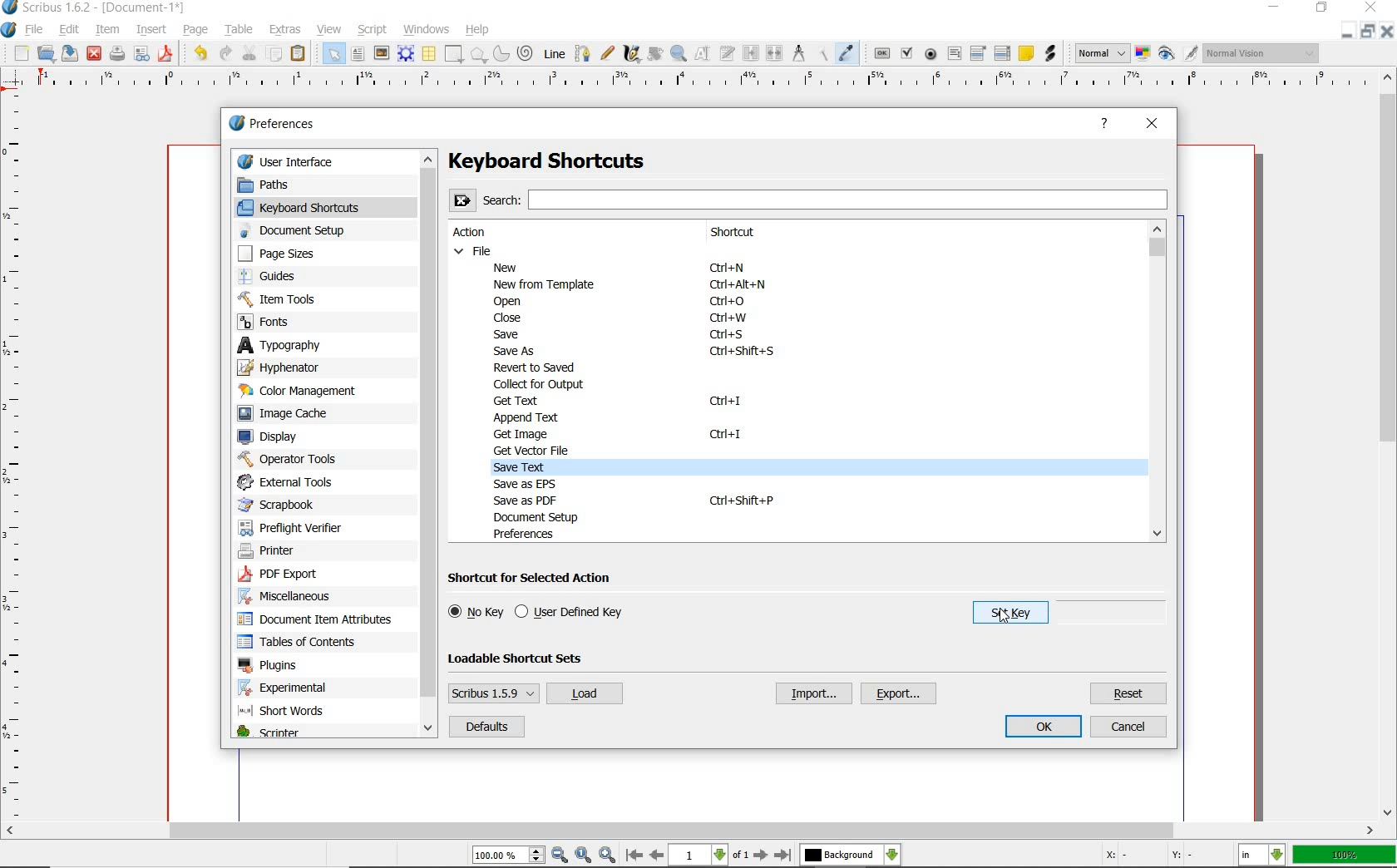 This screenshot has width=1397, height=868. I want to click on file, so click(475, 250).